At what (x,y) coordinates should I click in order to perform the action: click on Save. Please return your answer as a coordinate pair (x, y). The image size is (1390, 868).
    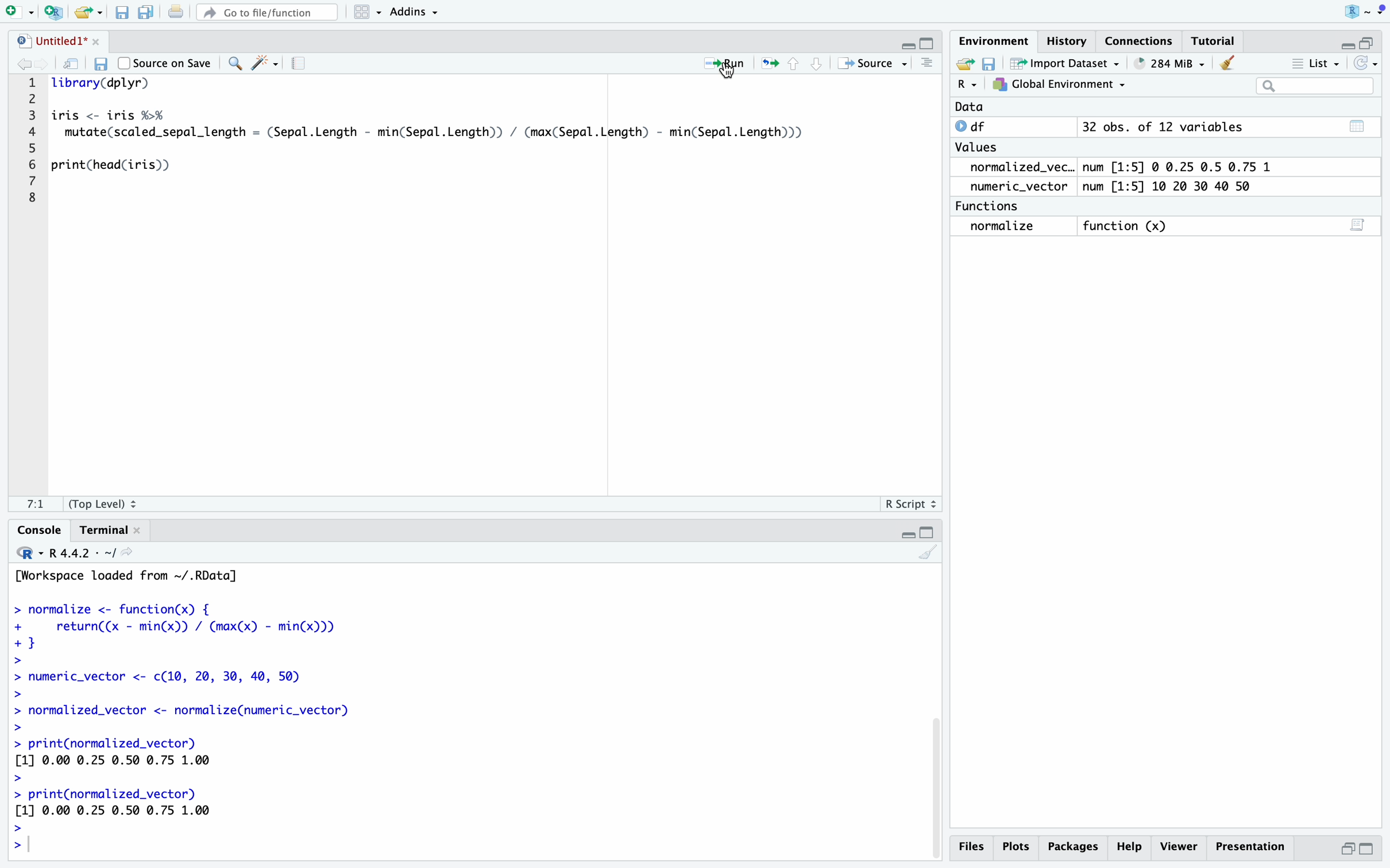
    Looking at the image, I should click on (990, 63).